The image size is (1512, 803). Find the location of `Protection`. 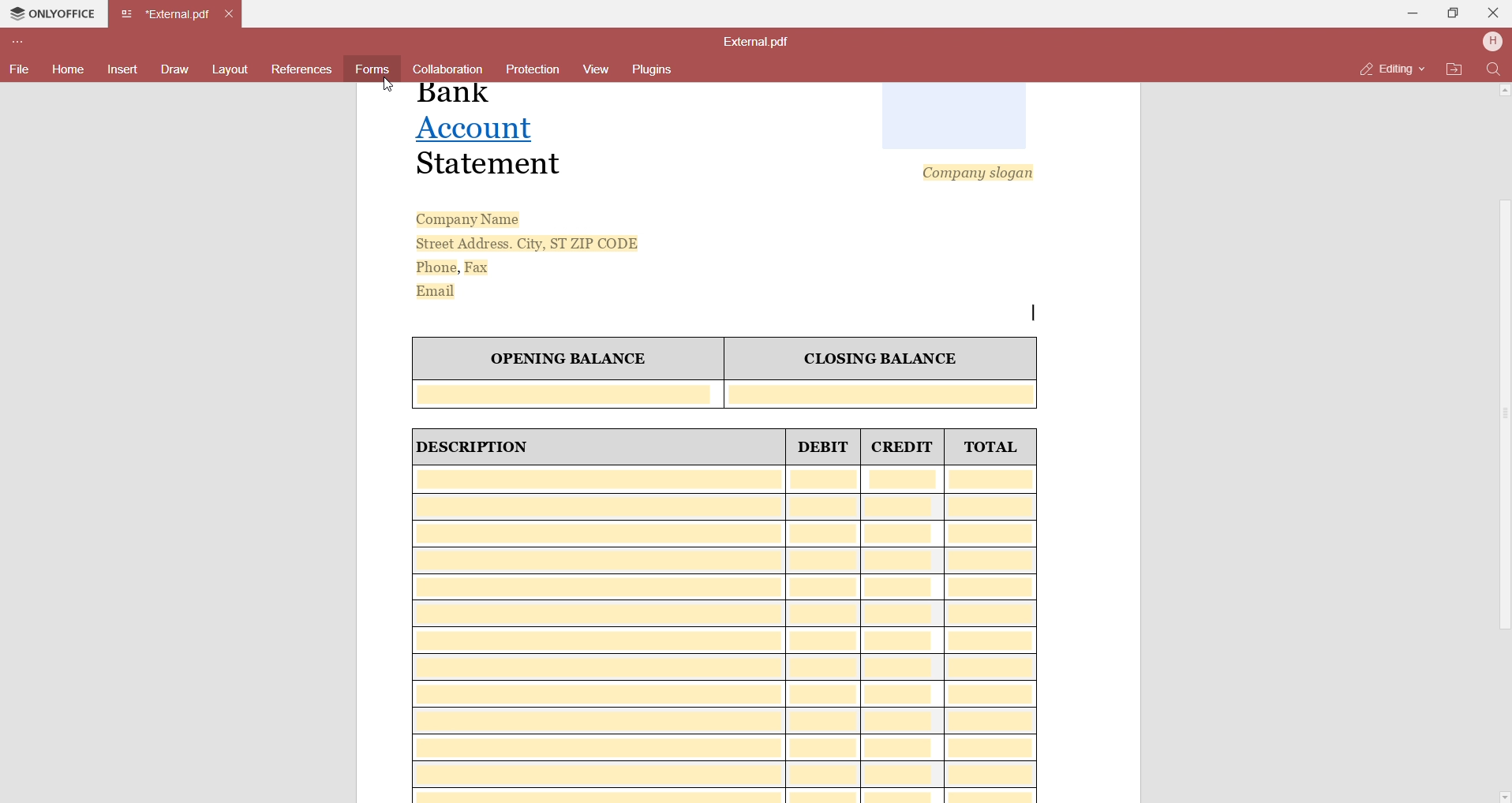

Protection is located at coordinates (533, 71).